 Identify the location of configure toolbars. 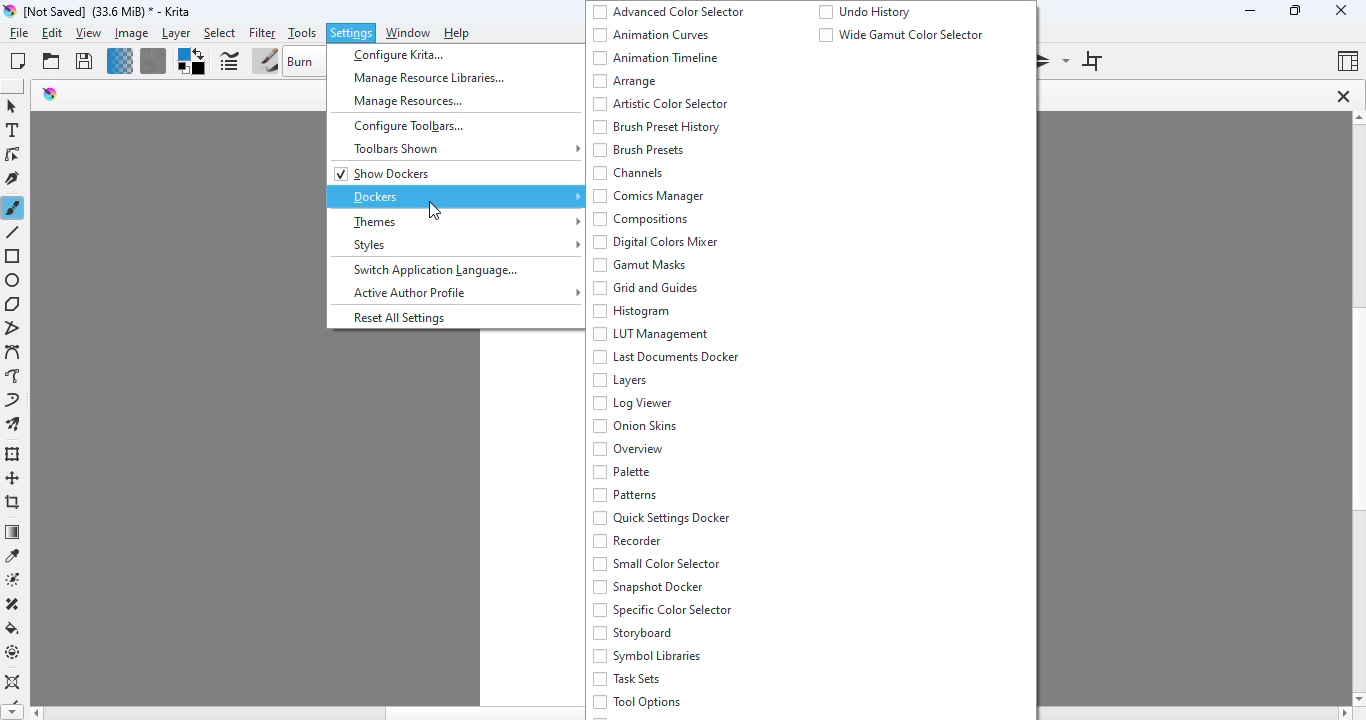
(407, 125).